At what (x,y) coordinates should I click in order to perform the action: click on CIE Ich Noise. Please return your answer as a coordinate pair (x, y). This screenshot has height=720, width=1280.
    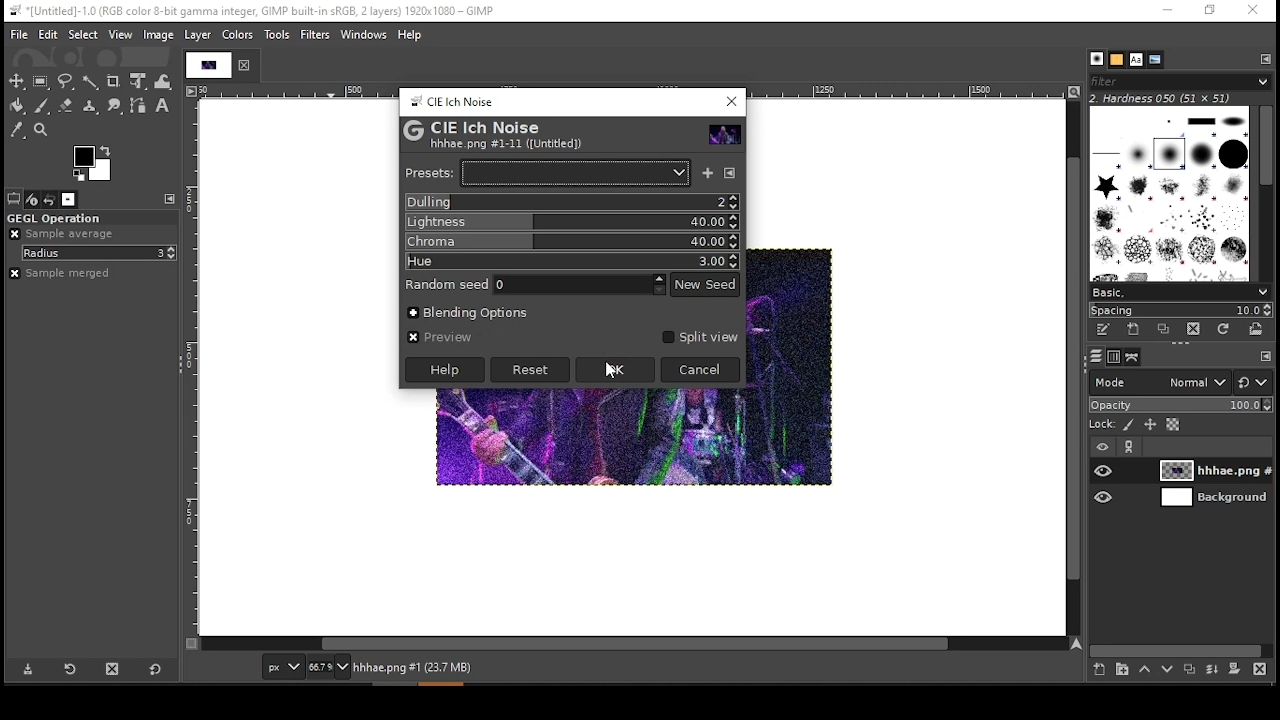
    Looking at the image, I should click on (492, 128).